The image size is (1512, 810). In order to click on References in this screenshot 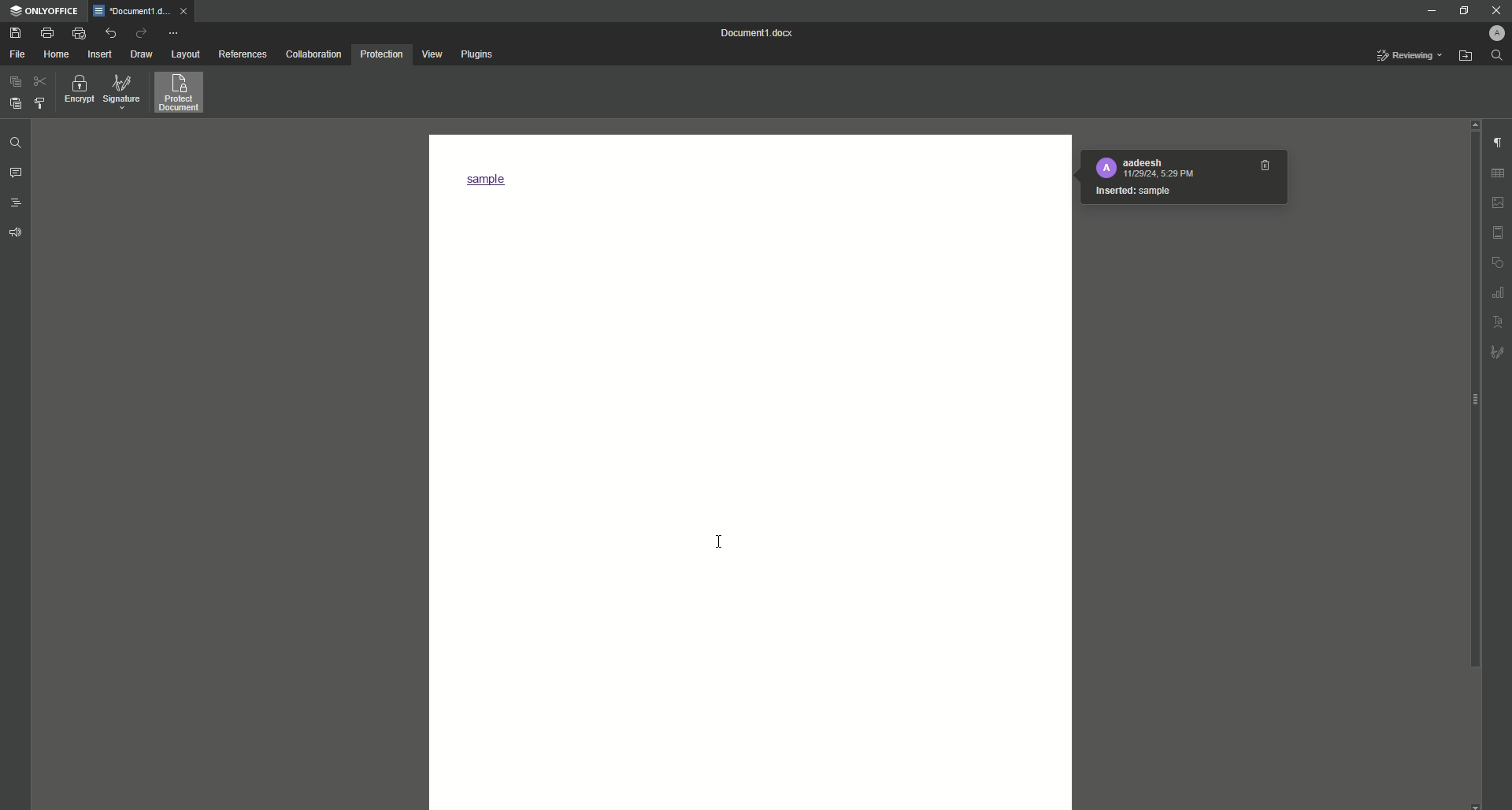, I will do `click(242, 54)`.